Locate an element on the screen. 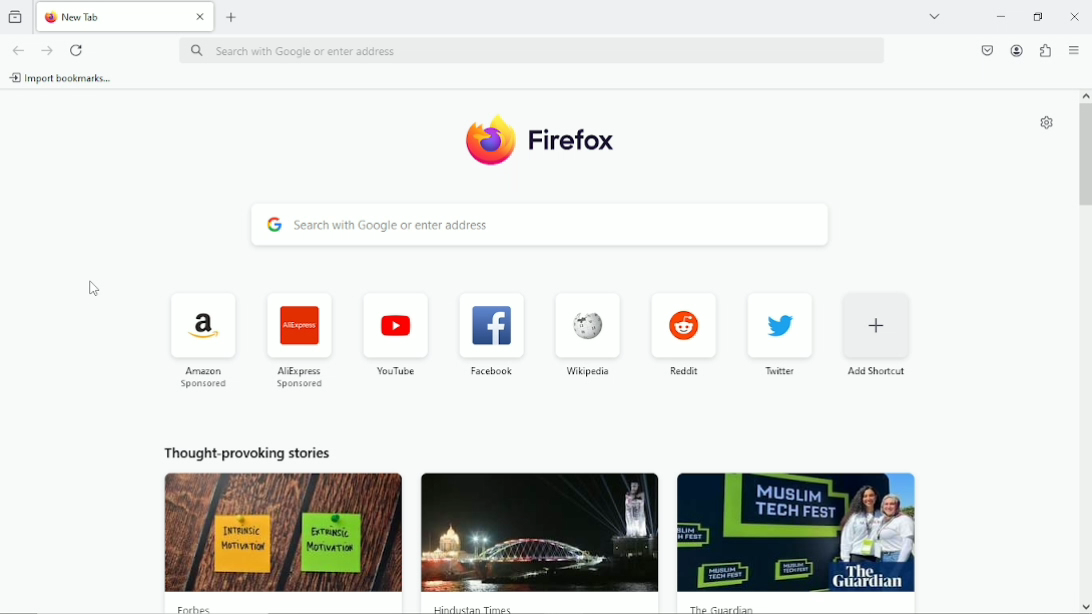 This screenshot has width=1092, height=614. Wikipedia is located at coordinates (586, 336).